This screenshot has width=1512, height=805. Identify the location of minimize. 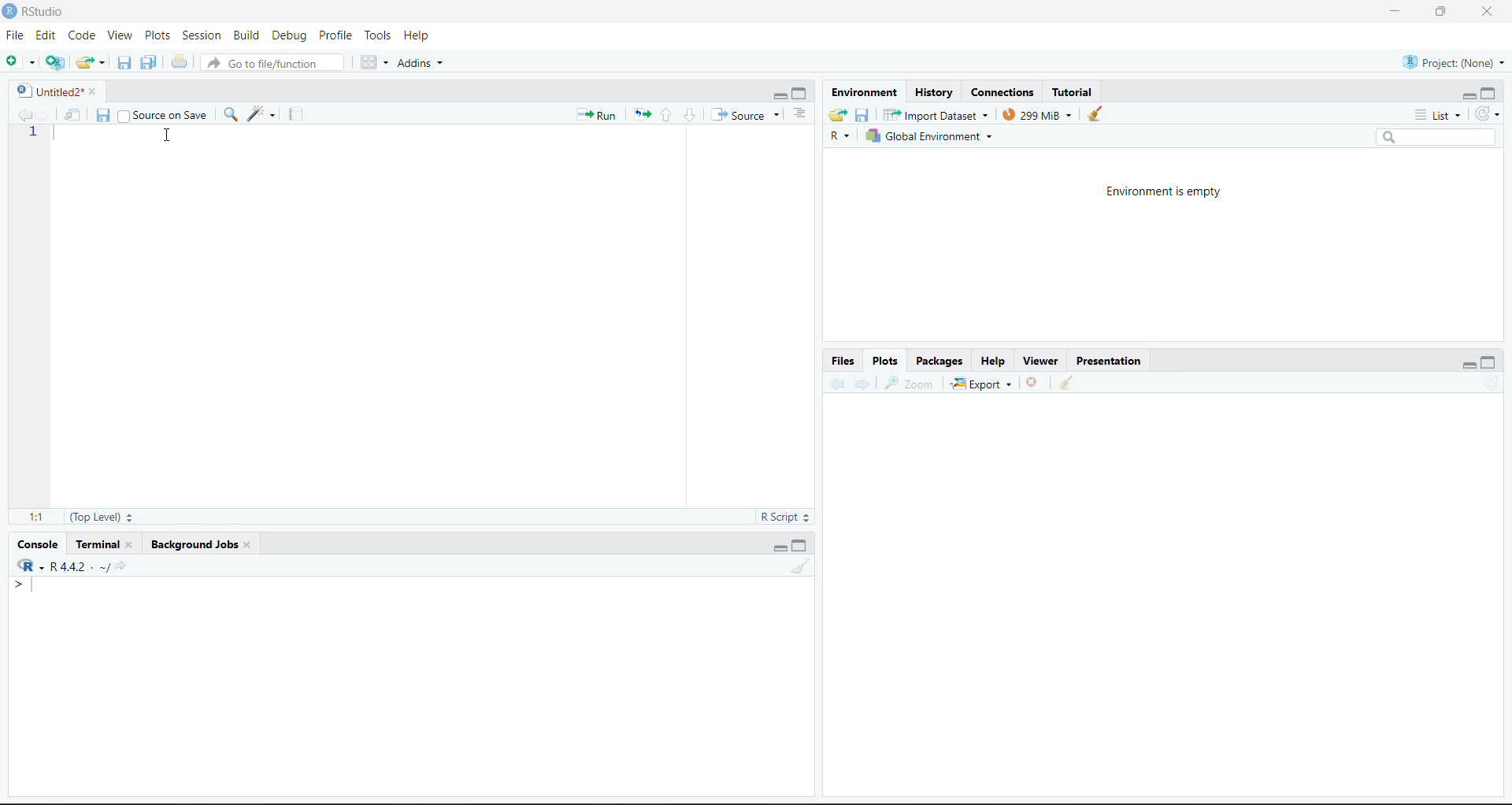
(1470, 364).